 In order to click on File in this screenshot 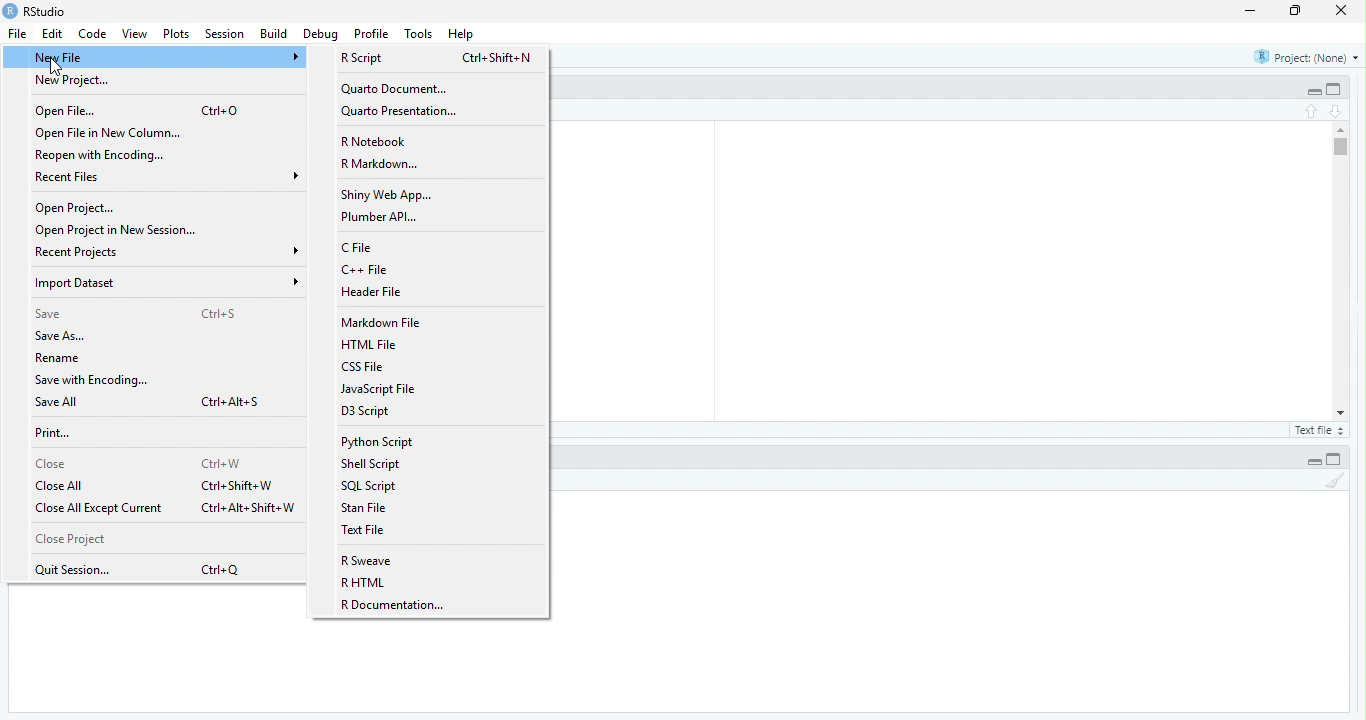, I will do `click(20, 34)`.